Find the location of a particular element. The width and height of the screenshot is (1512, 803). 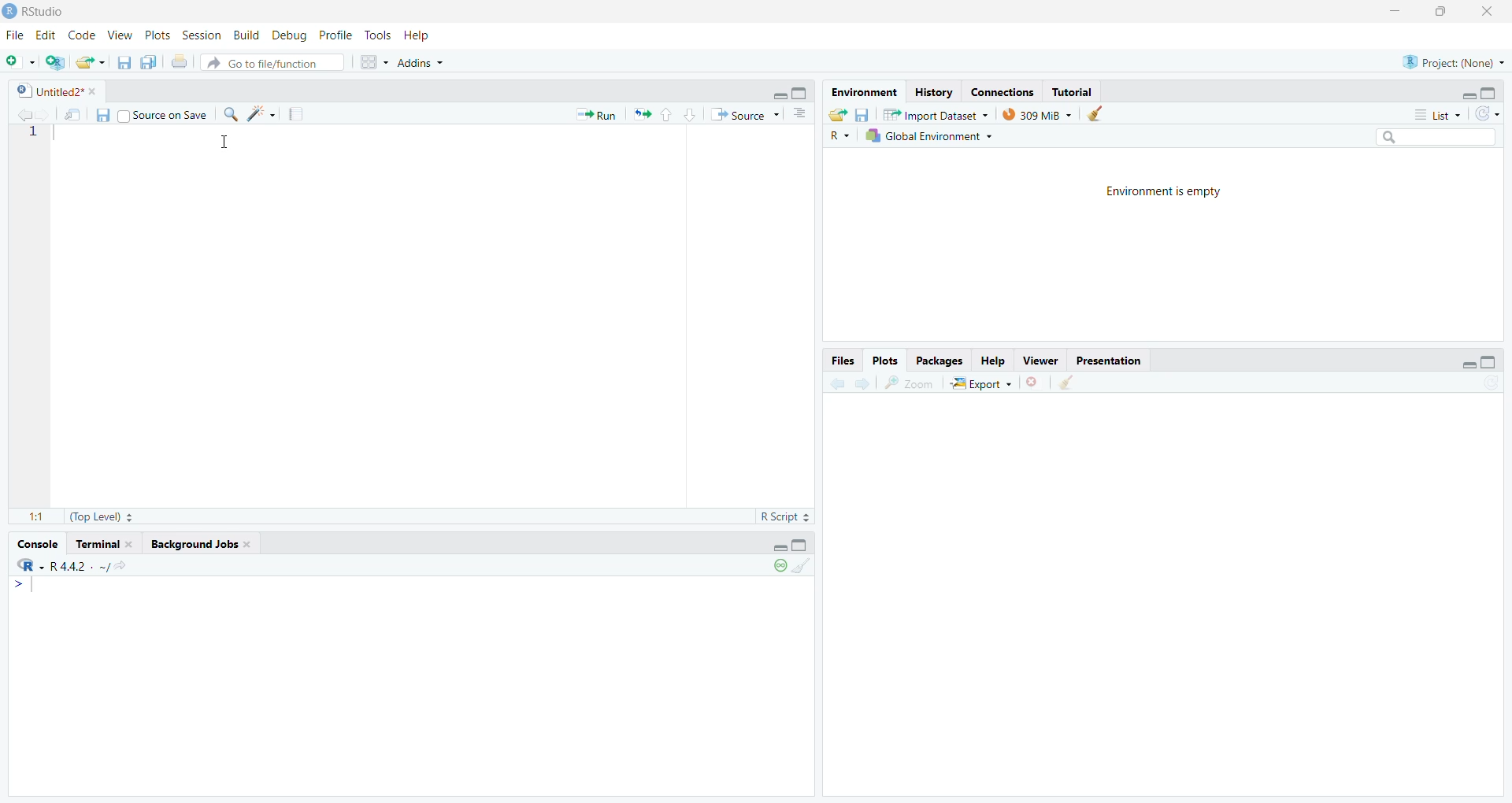

search is located at coordinates (235, 114).